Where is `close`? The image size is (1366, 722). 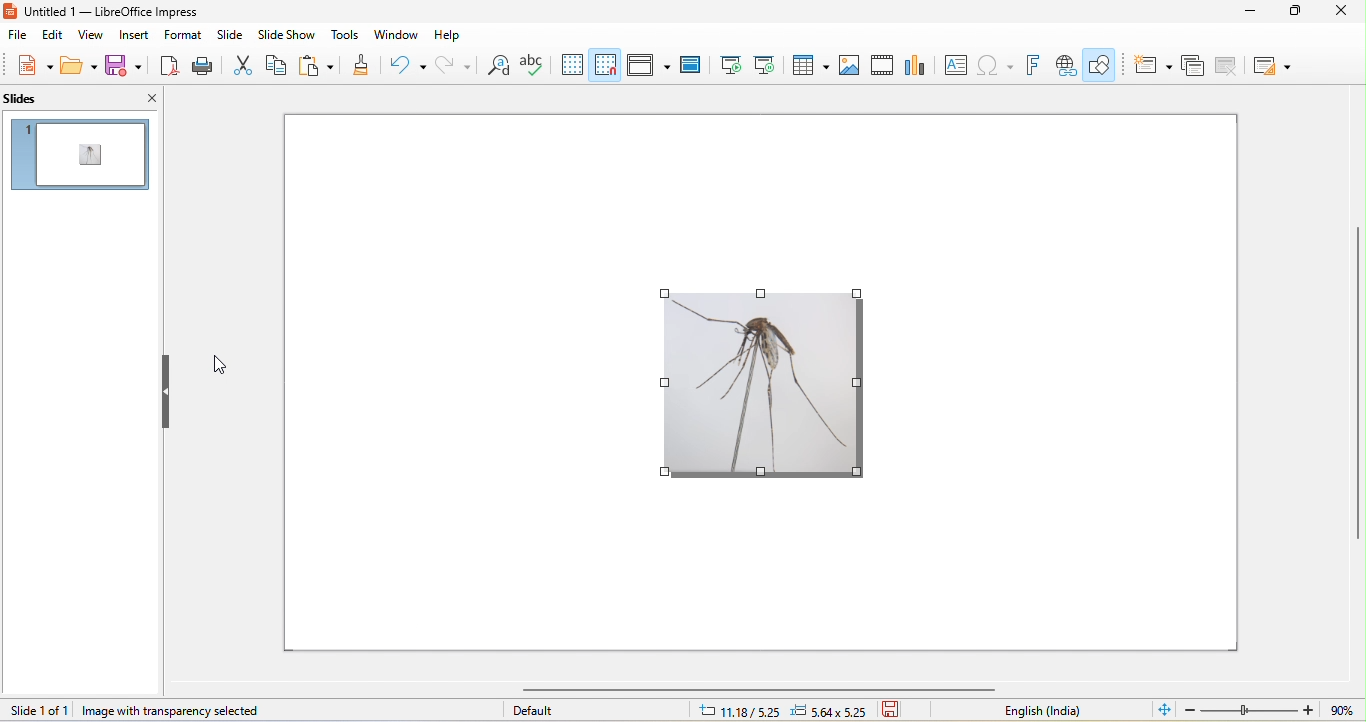
close is located at coordinates (1346, 12).